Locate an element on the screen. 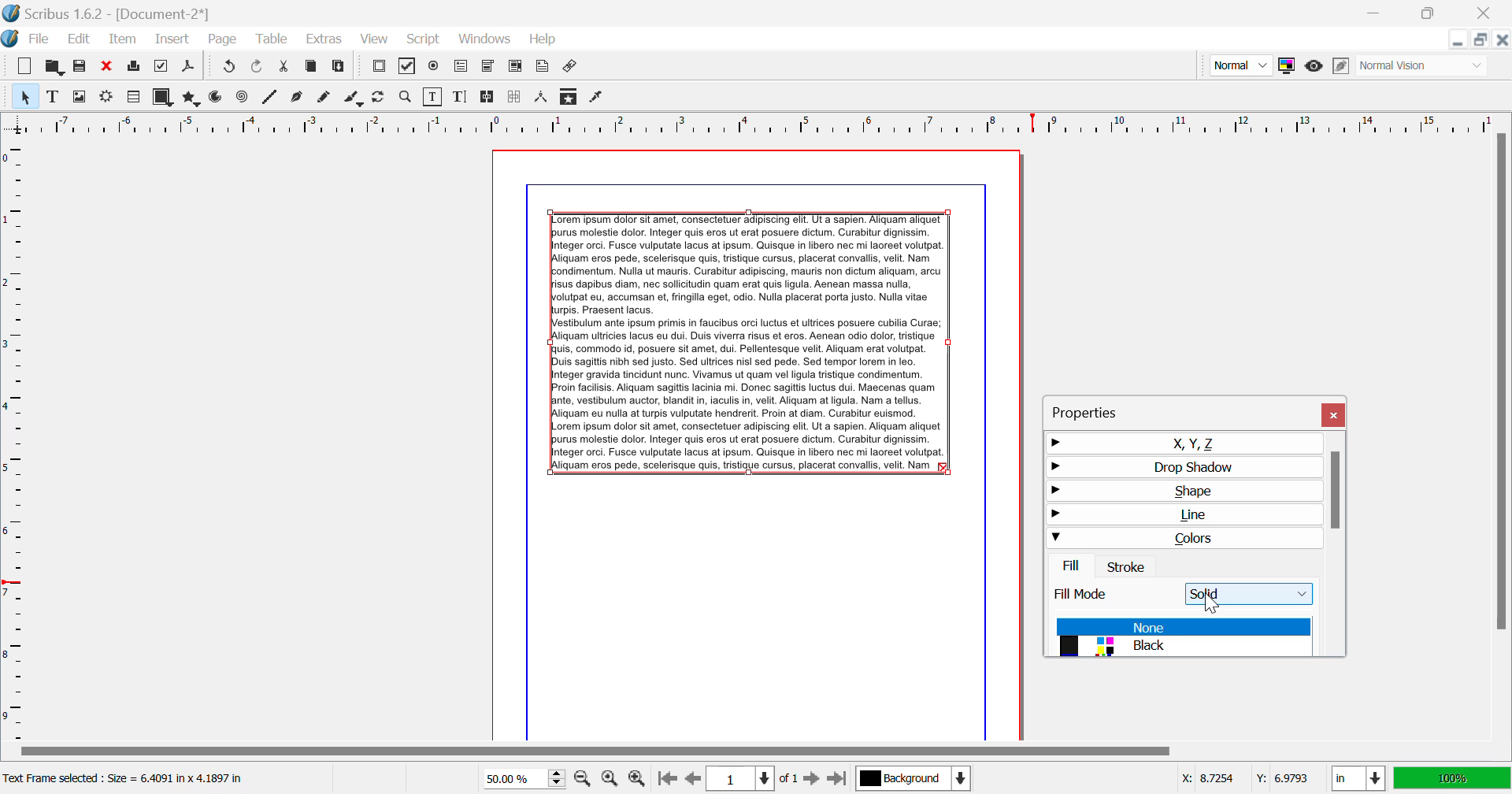 This screenshot has height=794, width=1512. Cursor Position is located at coordinates (1210, 600).